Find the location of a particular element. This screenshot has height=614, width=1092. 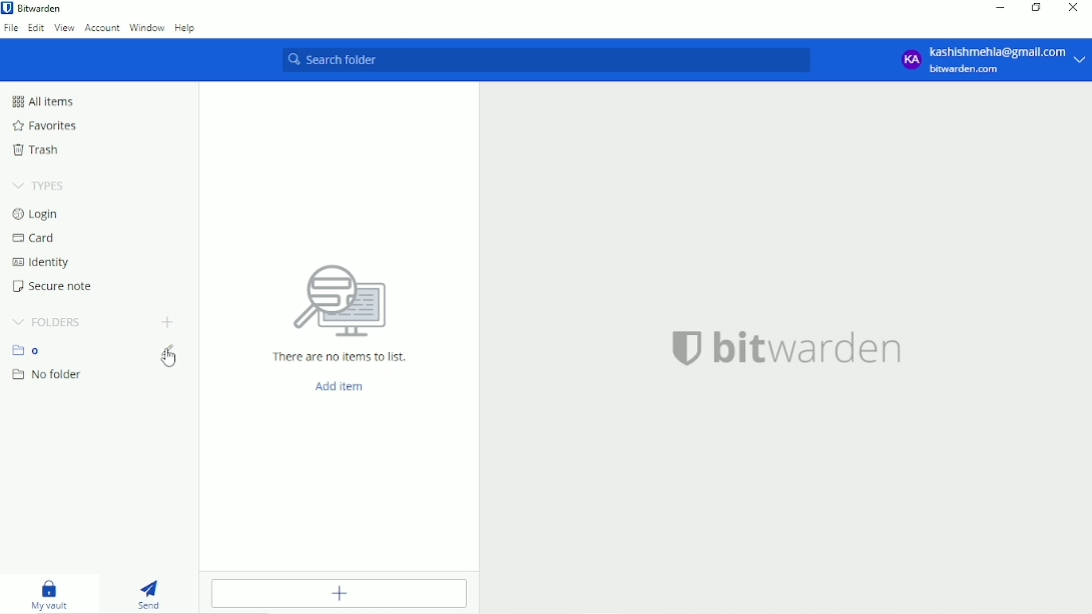

Help is located at coordinates (187, 28).